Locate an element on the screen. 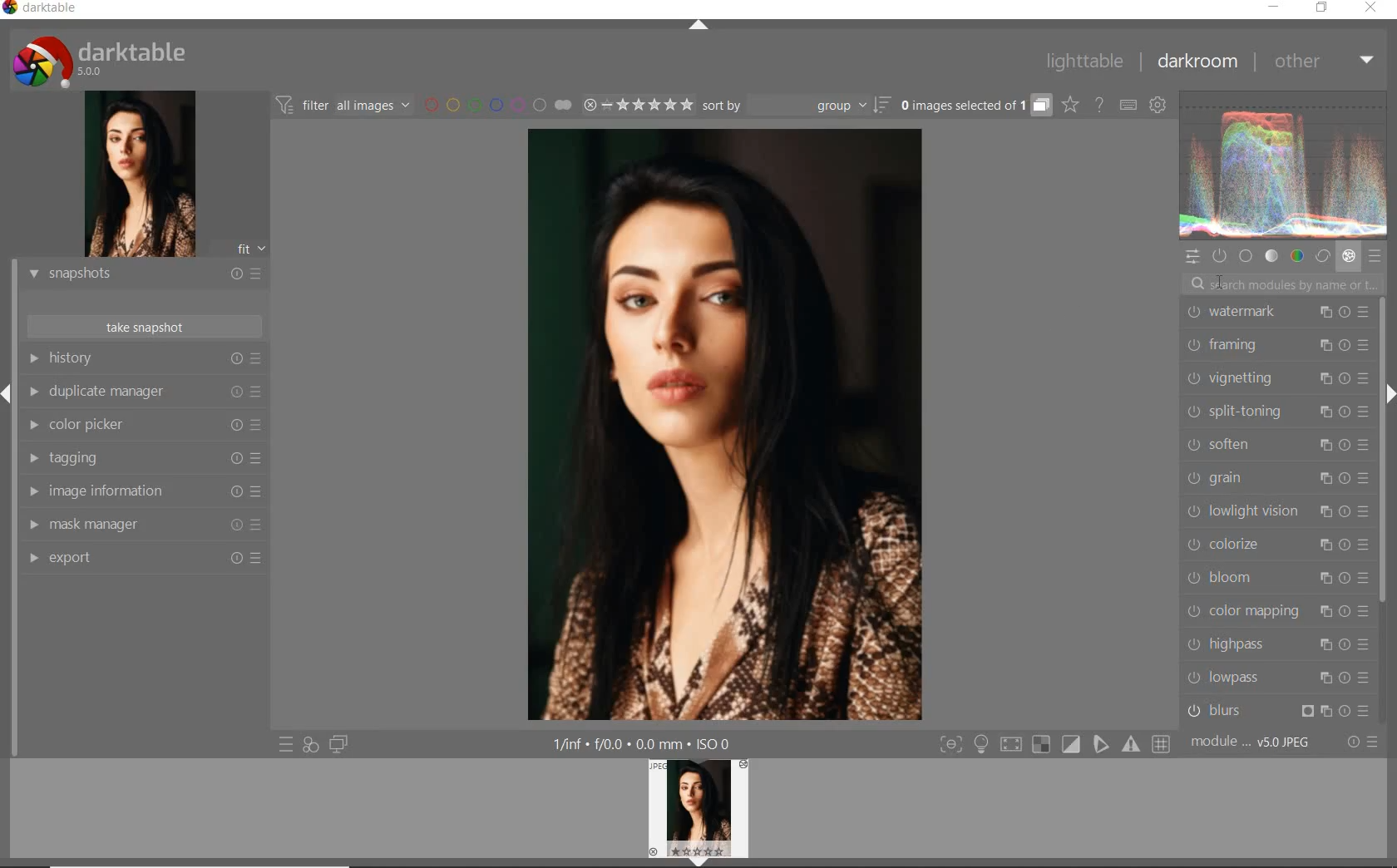 This screenshot has height=868, width=1397. image preview is located at coordinates (141, 174).